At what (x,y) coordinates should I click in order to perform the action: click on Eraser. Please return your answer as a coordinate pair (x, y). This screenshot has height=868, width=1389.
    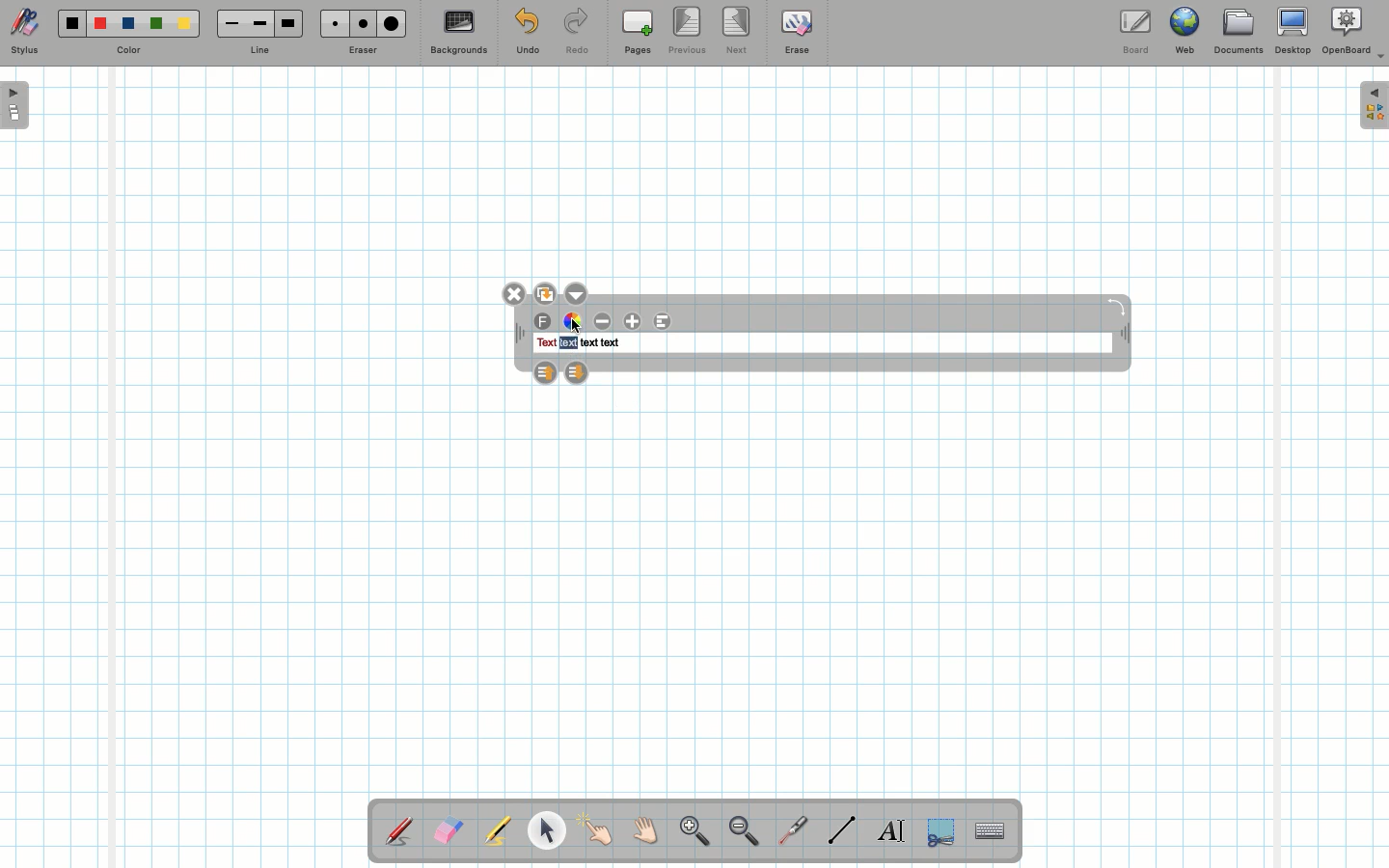
    Looking at the image, I should click on (448, 832).